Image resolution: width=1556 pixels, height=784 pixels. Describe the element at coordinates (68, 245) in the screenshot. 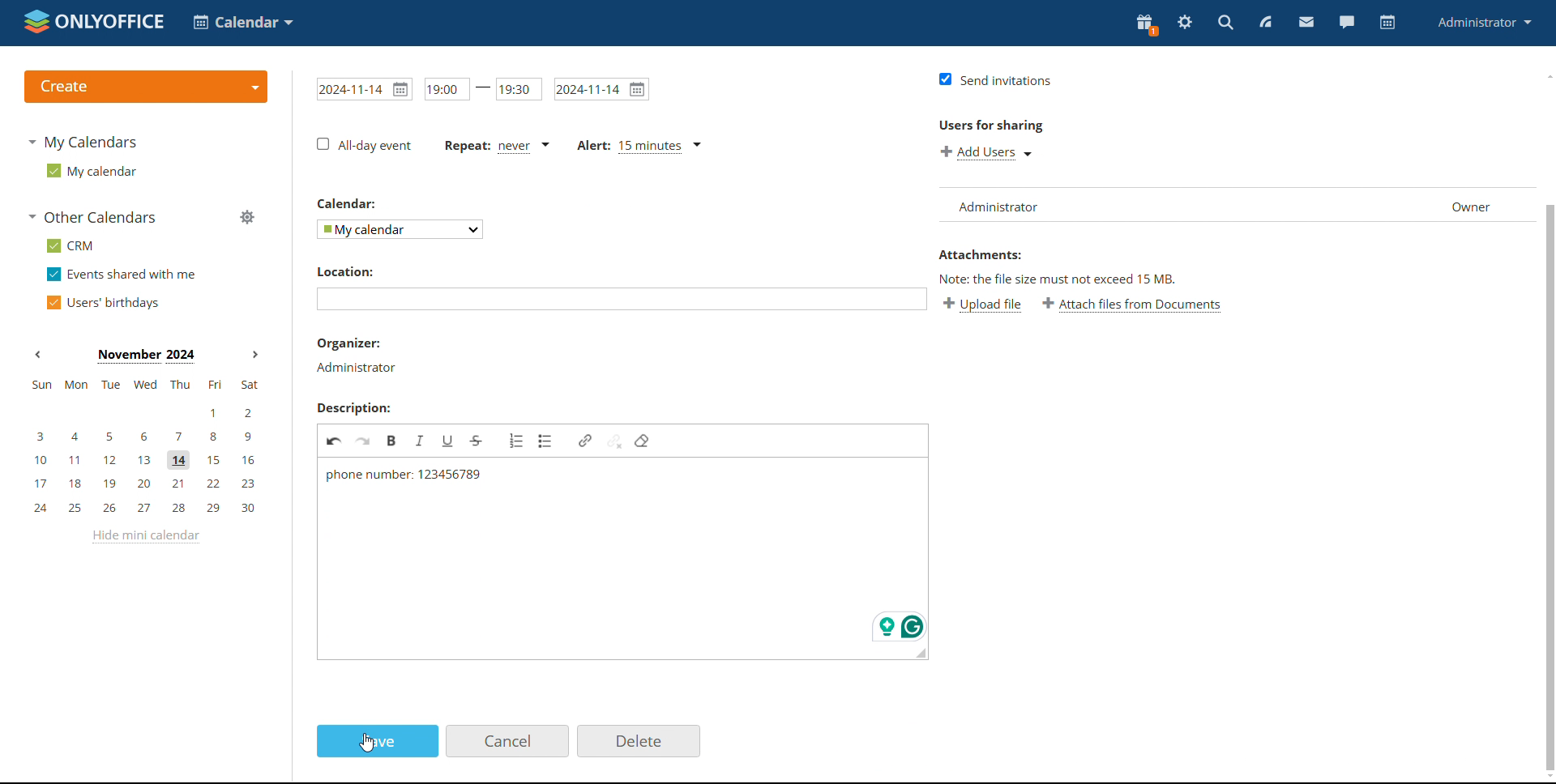

I see `crm` at that location.